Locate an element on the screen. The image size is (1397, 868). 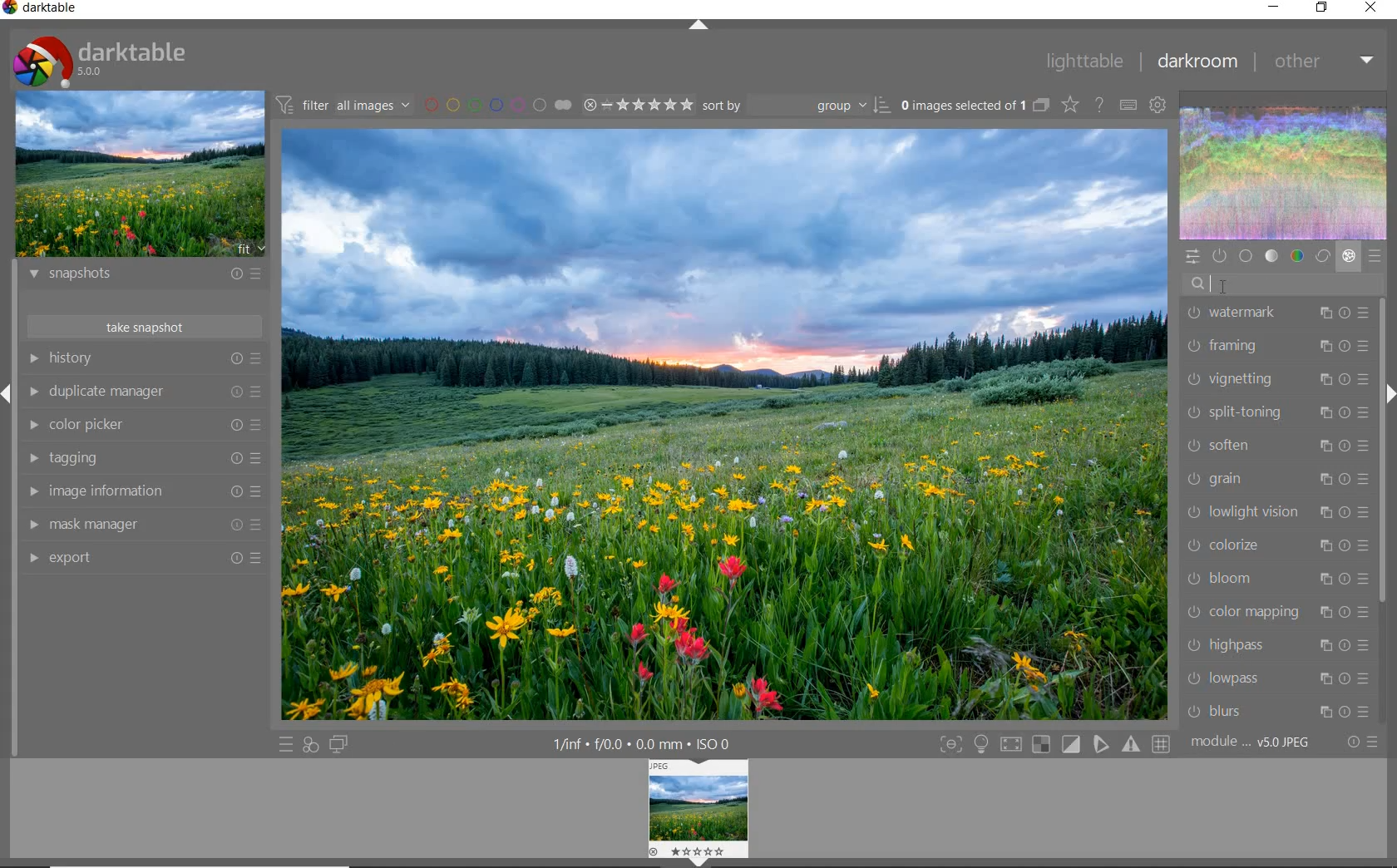
display a second darkroom image below is located at coordinates (342, 744).